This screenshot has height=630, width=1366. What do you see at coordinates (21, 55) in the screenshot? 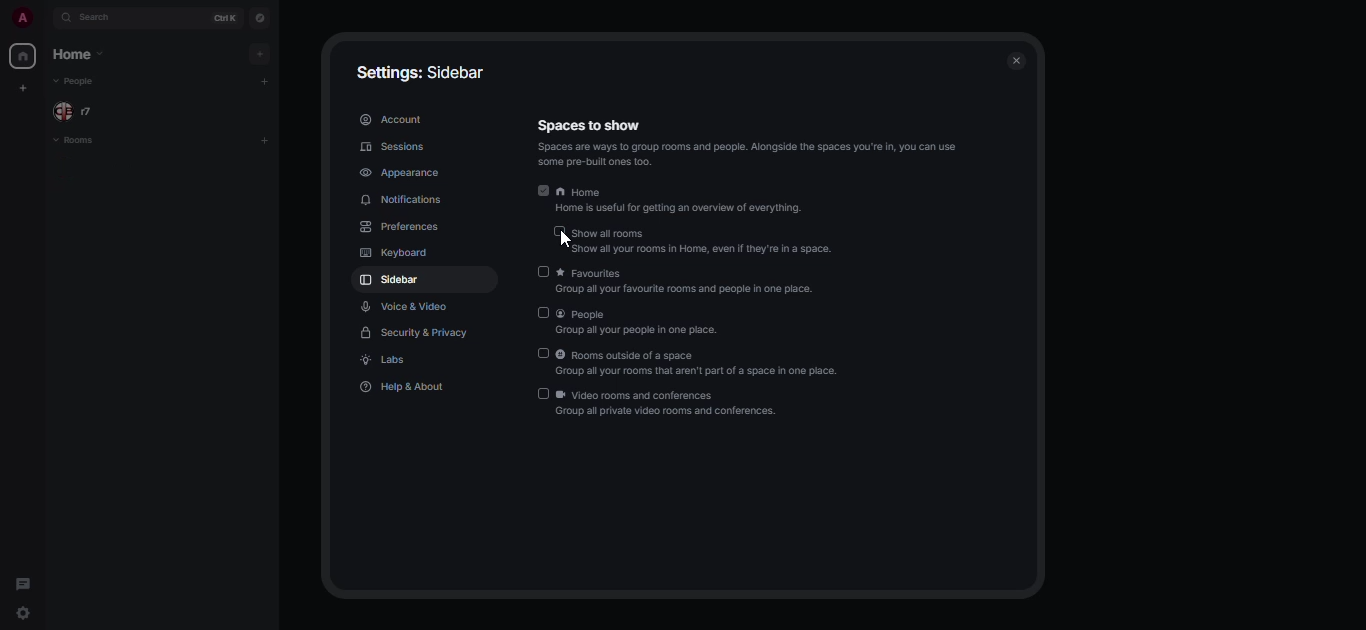
I see `home` at bounding box center [21, 55].